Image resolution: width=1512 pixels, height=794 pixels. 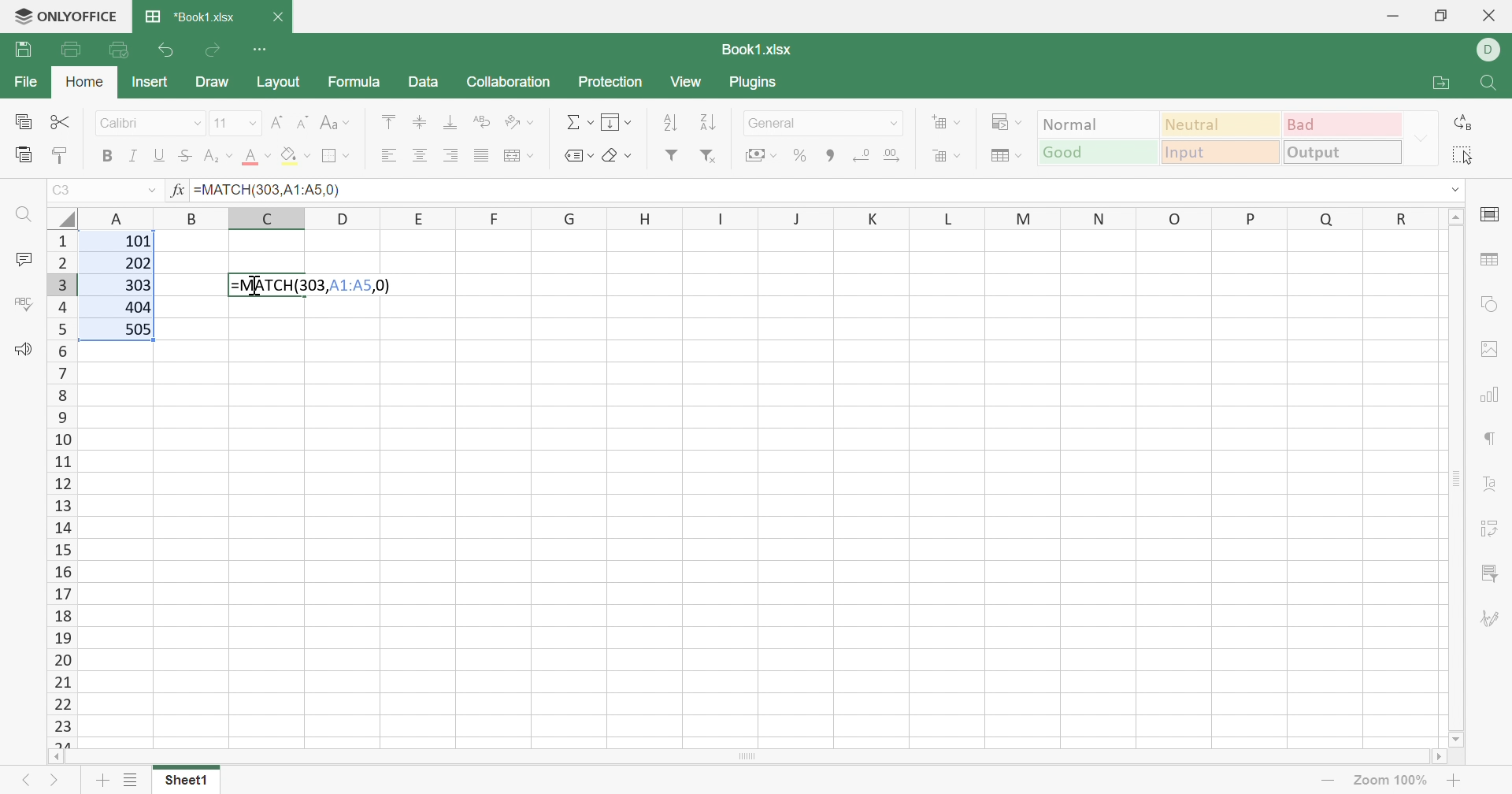 What do you see at coordinates (760, 83) in the screenshot?
I see `Plugins` at bounding box center [760, 83].